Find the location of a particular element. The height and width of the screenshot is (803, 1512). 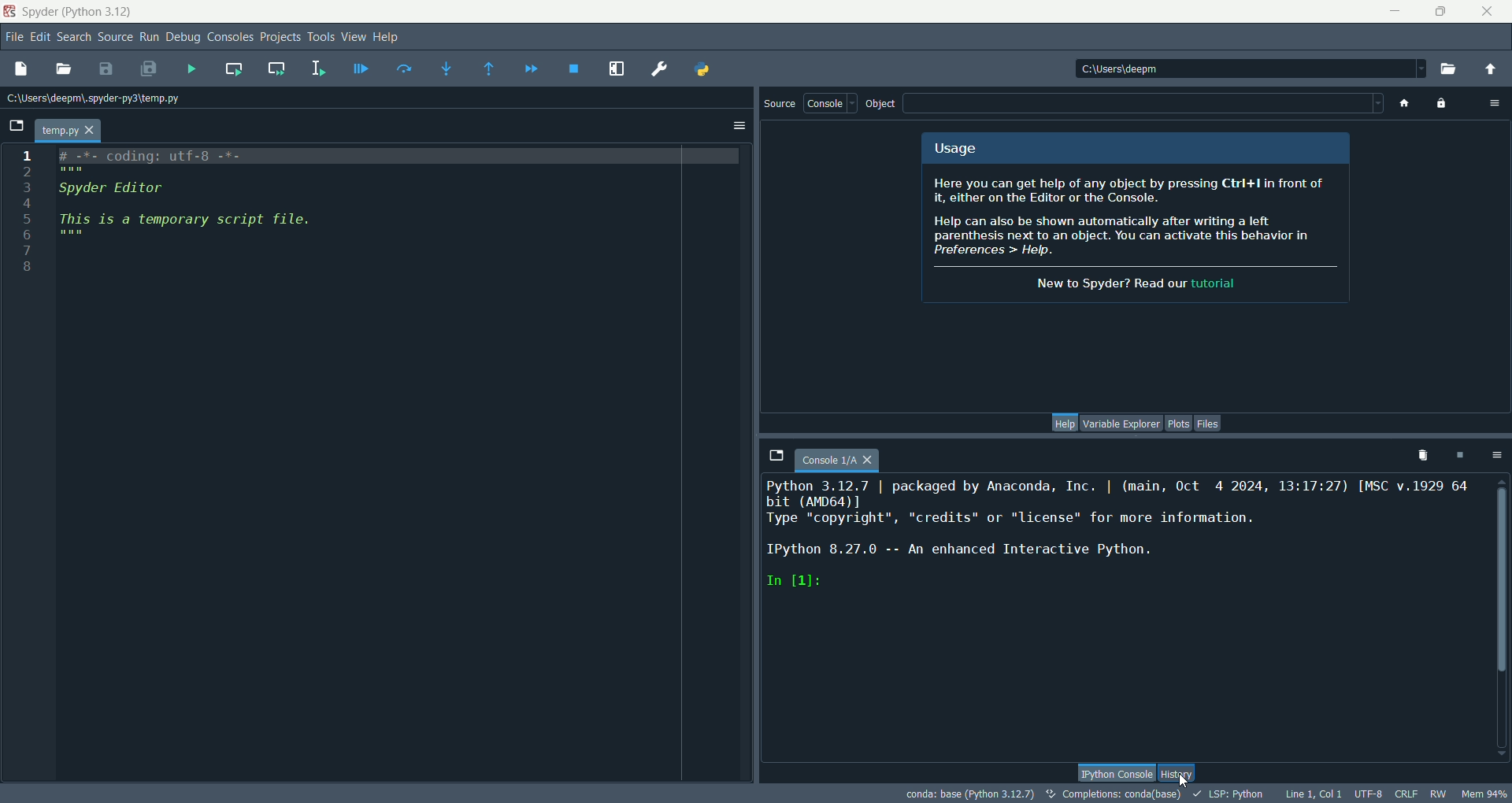

spyder is located at coordinates (79, 13).